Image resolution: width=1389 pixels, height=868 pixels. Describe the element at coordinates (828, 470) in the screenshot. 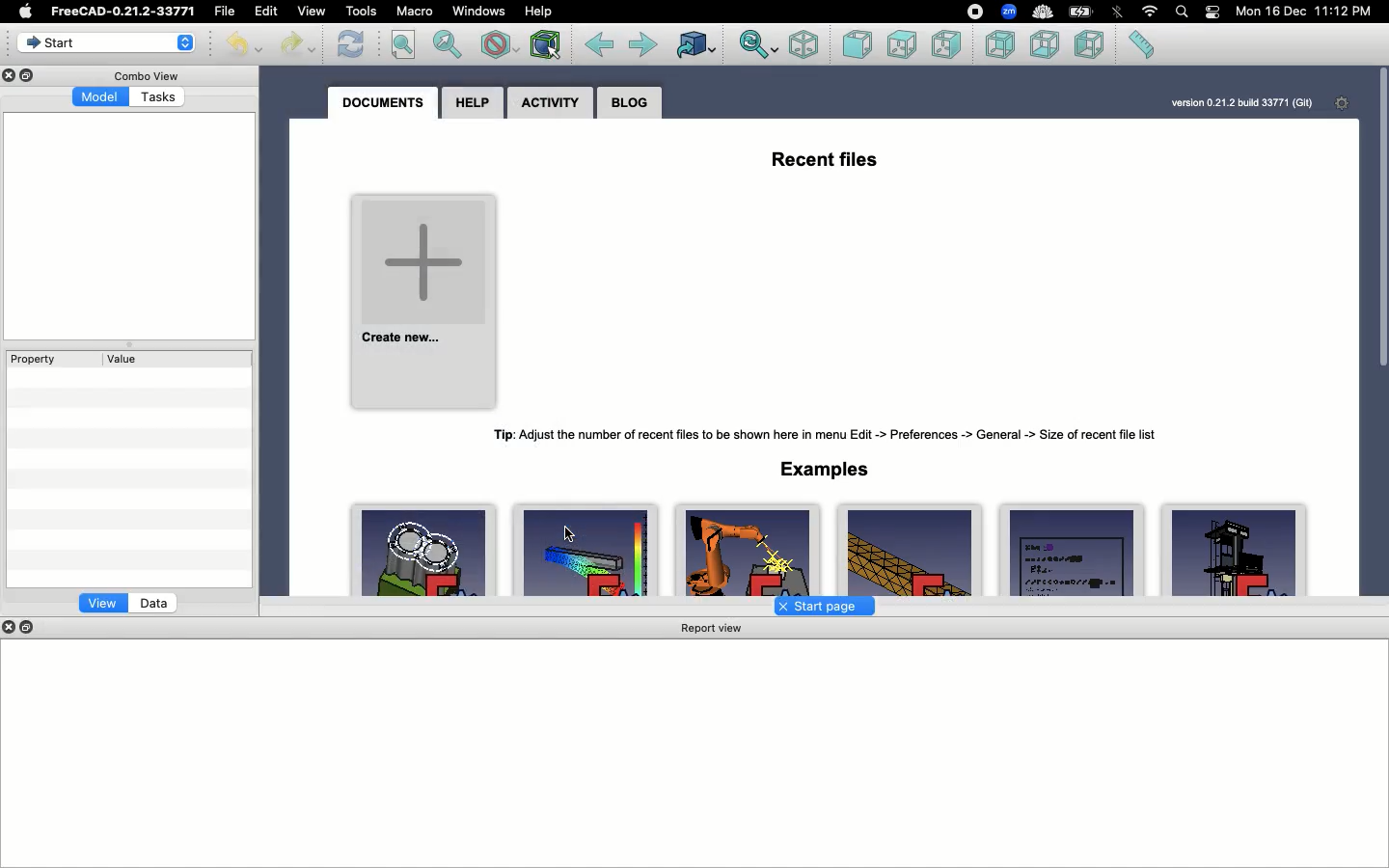

I see `Examples` at that location.